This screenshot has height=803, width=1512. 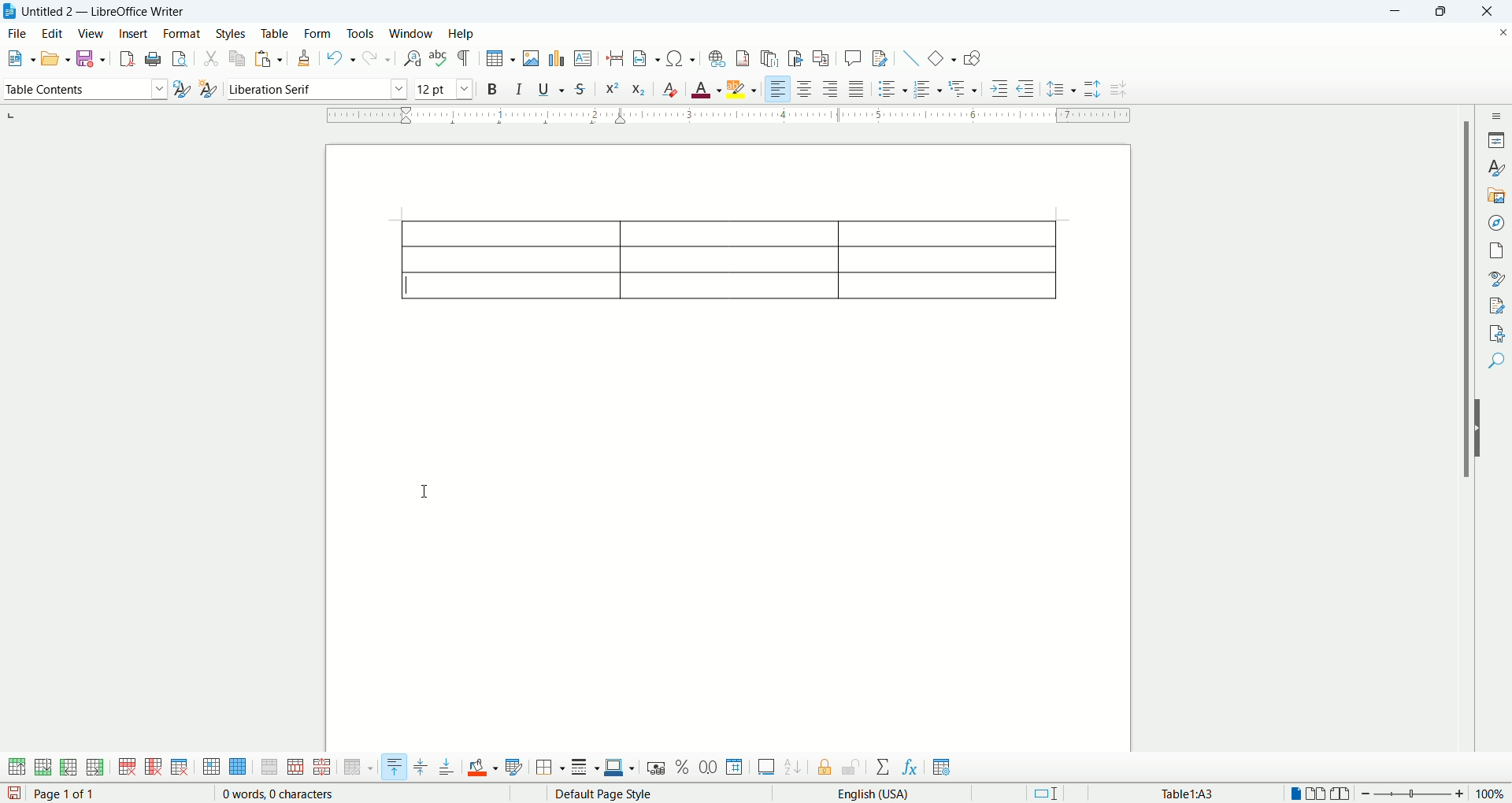 What do you see at coordinates (613, 54) in the screenshot?
I see `break page` at bounding box center [613, 54].